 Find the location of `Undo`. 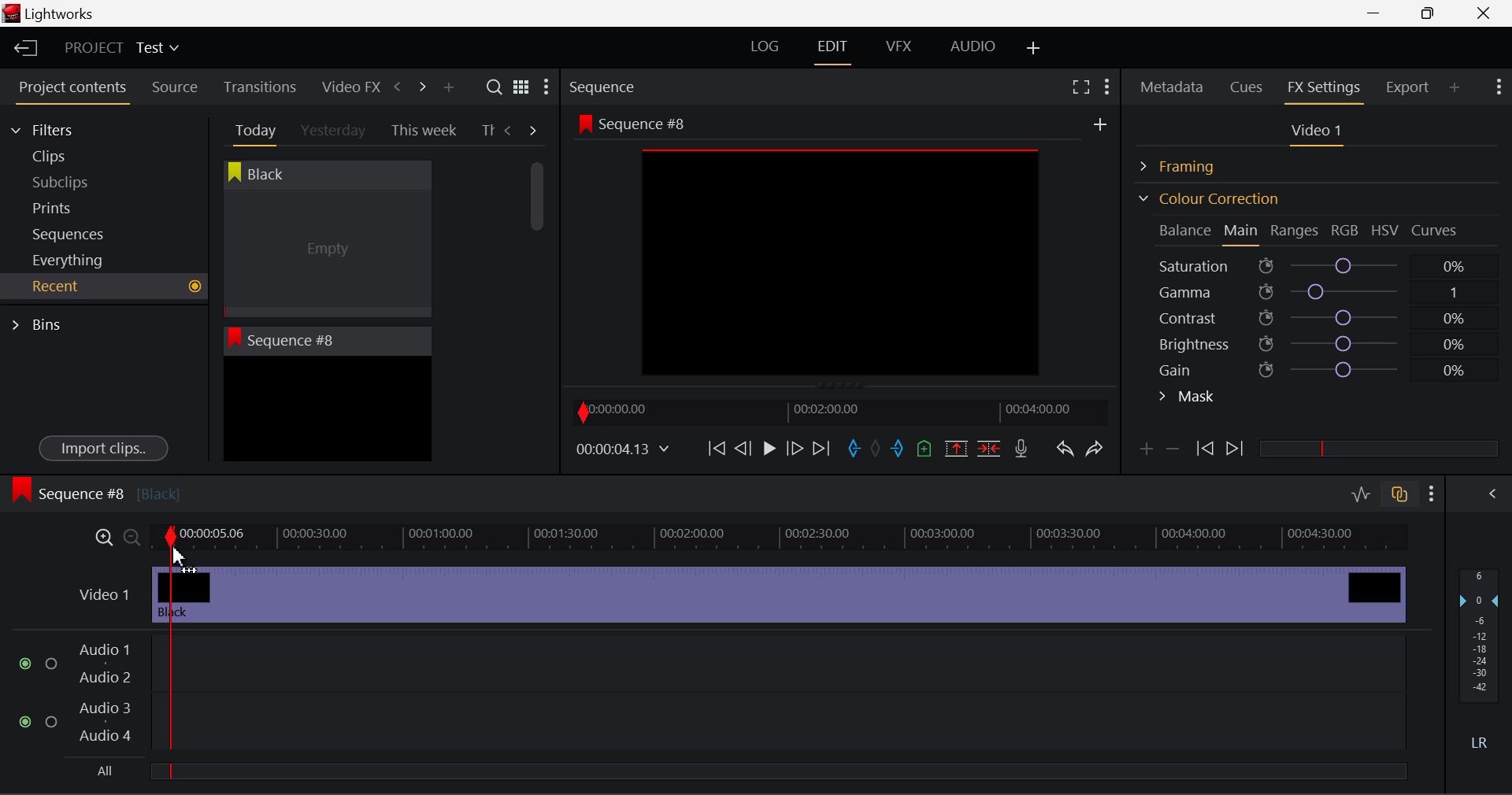

Undo is located at coordinates (1064, 452).